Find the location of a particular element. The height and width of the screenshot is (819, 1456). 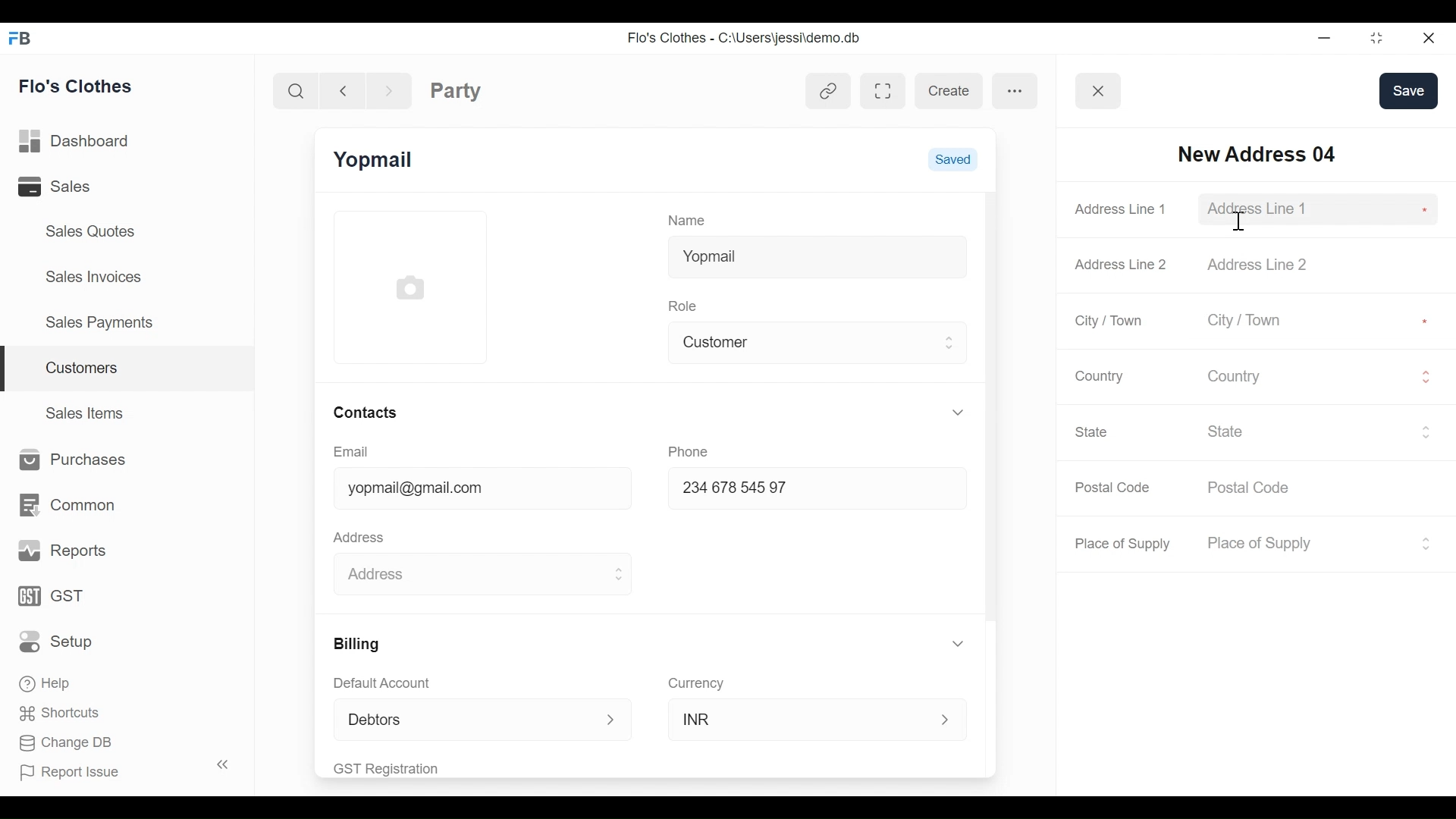

Dashboard is located at coordinates (79, 142).